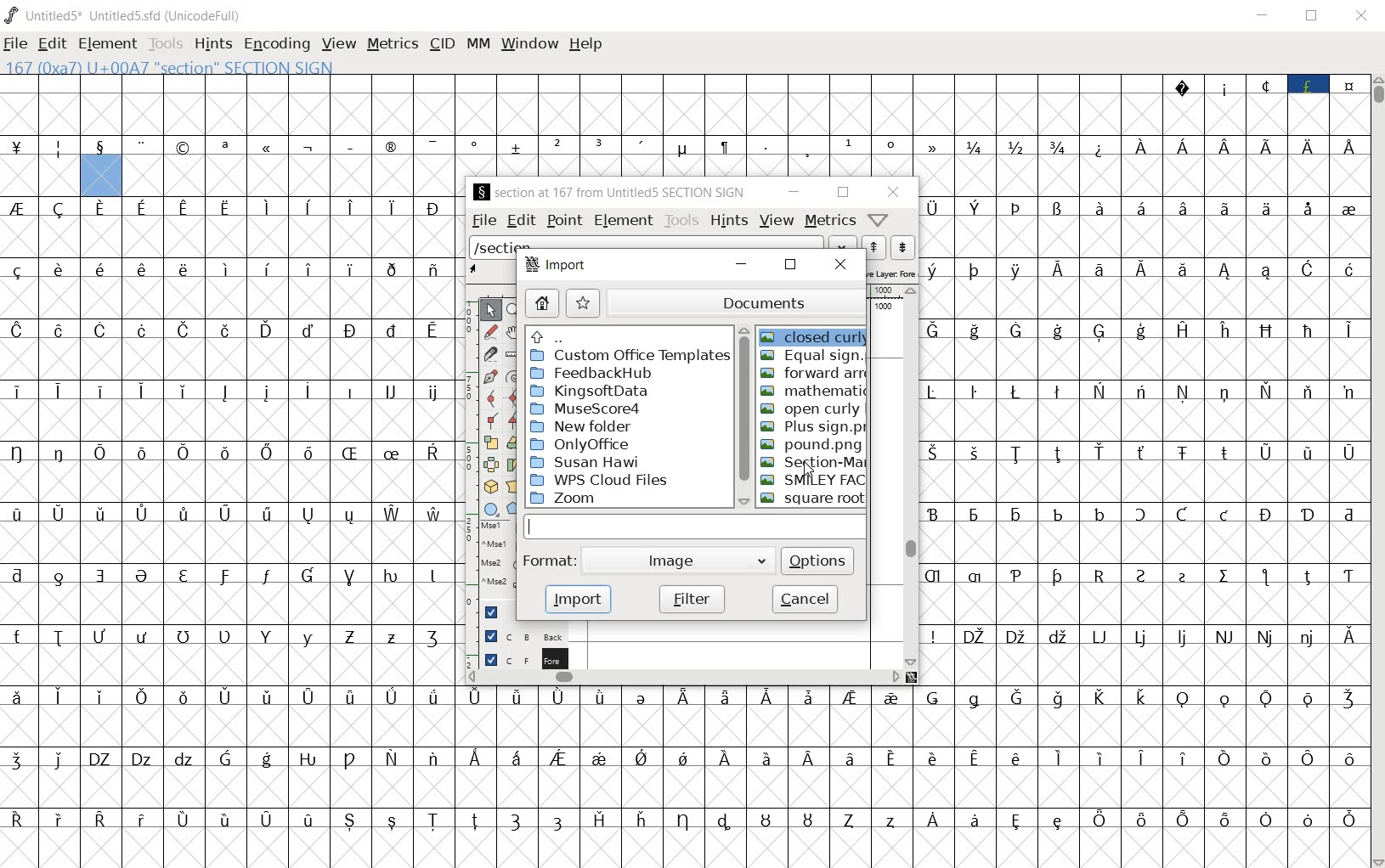 Image resolution: width=1385 pixels, height=868 pixels. What do you see at coordinates (515, 397) in the screenshot?
I see `add a curve point always either horizontal or vertical` at bounding box center [515, 397].